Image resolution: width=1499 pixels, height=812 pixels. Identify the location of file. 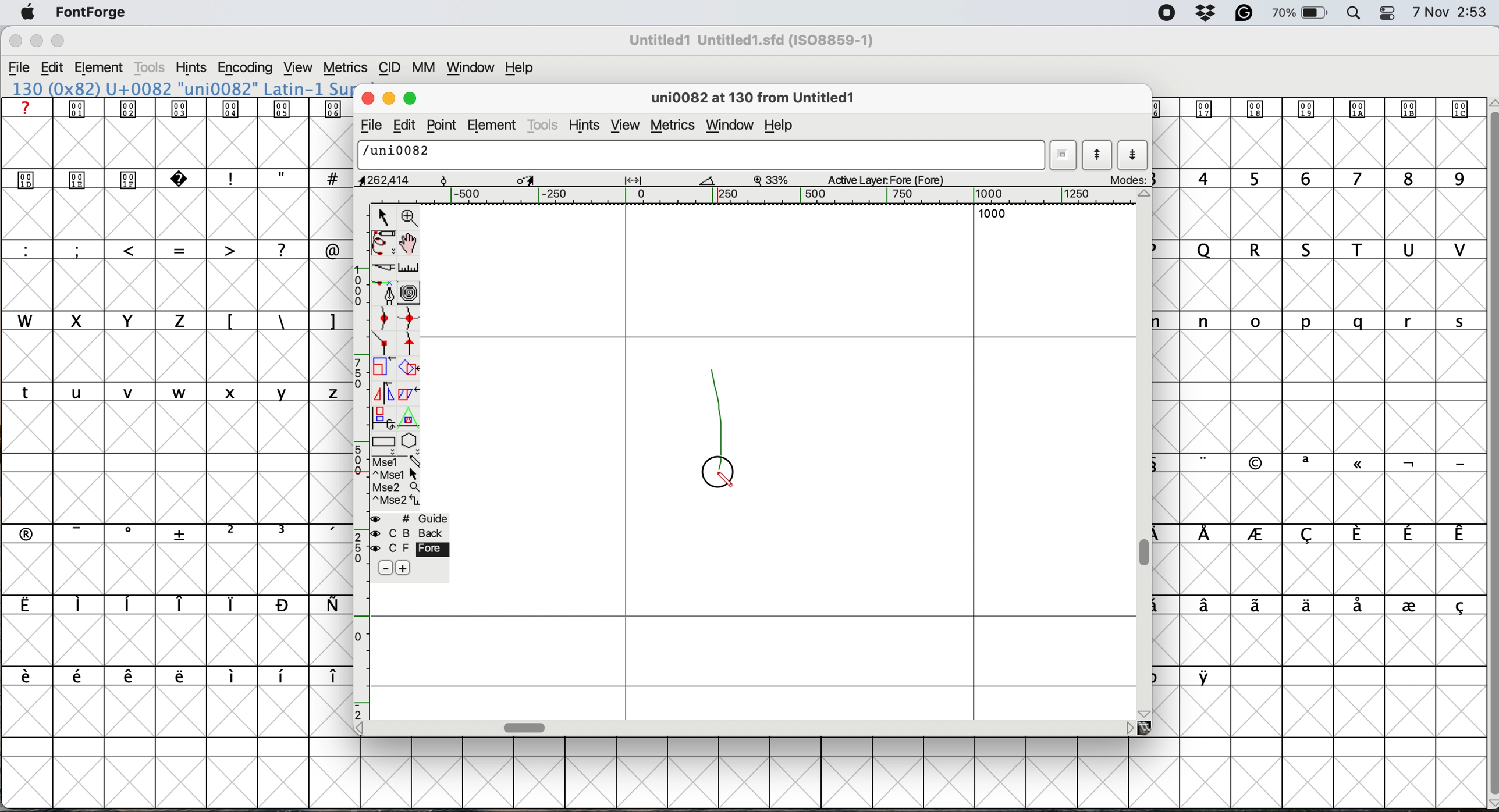
(22, 69).